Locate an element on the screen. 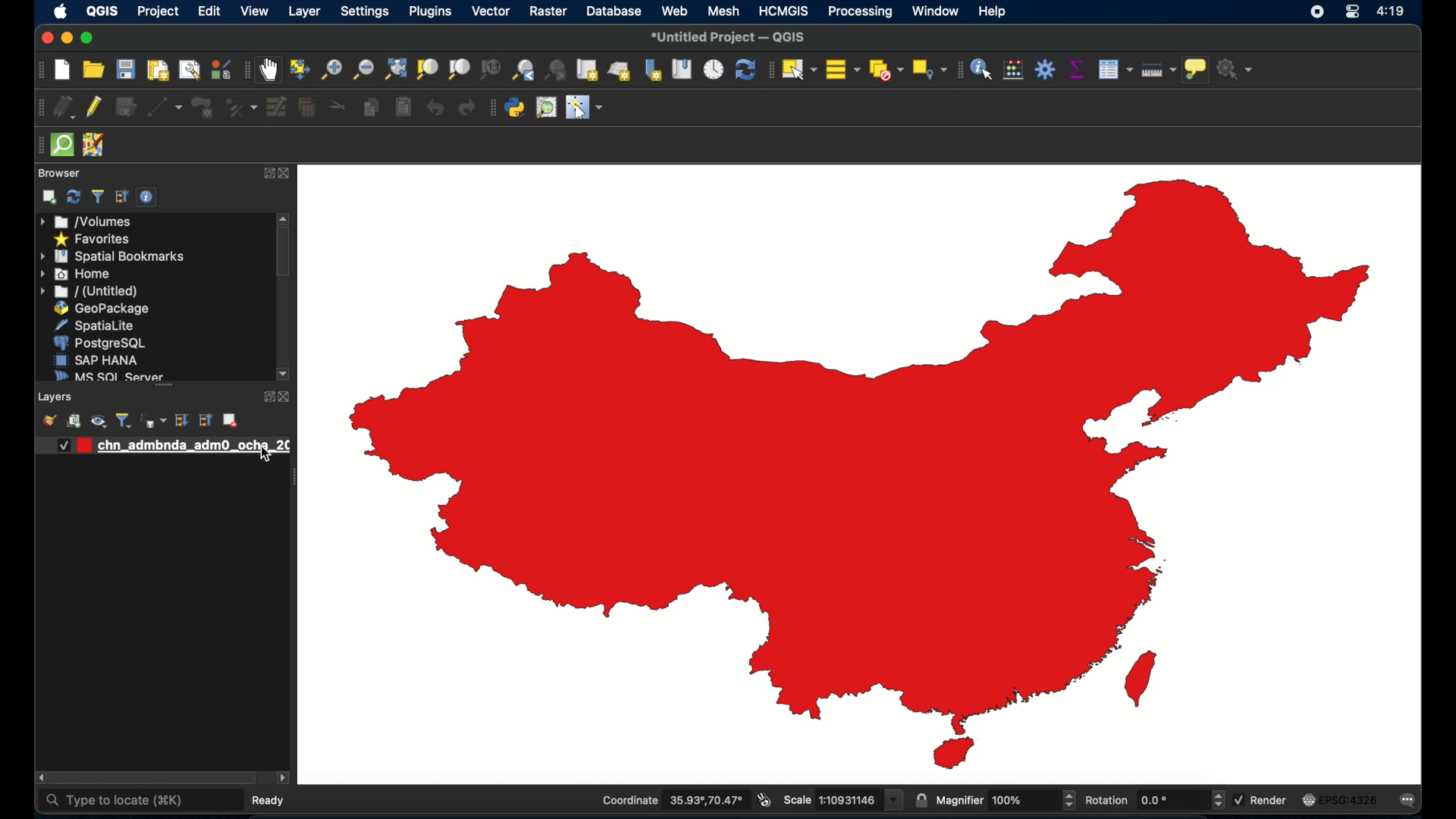 The height and width of the screenshot is (819, 1456). pan map to selection is located at coordinates (297, 67).